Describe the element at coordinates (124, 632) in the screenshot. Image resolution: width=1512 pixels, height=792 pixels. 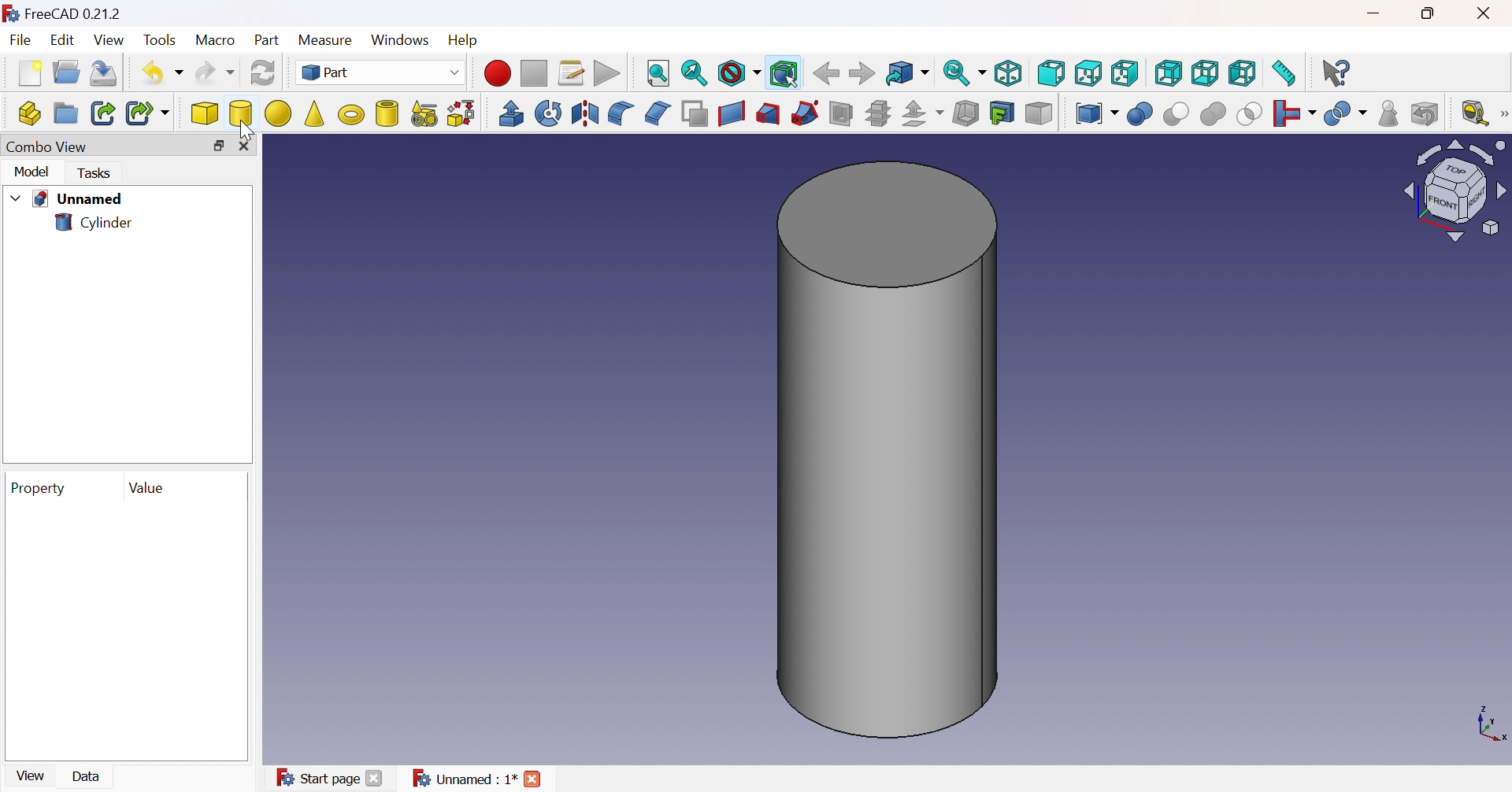
I see `preview` at that location.